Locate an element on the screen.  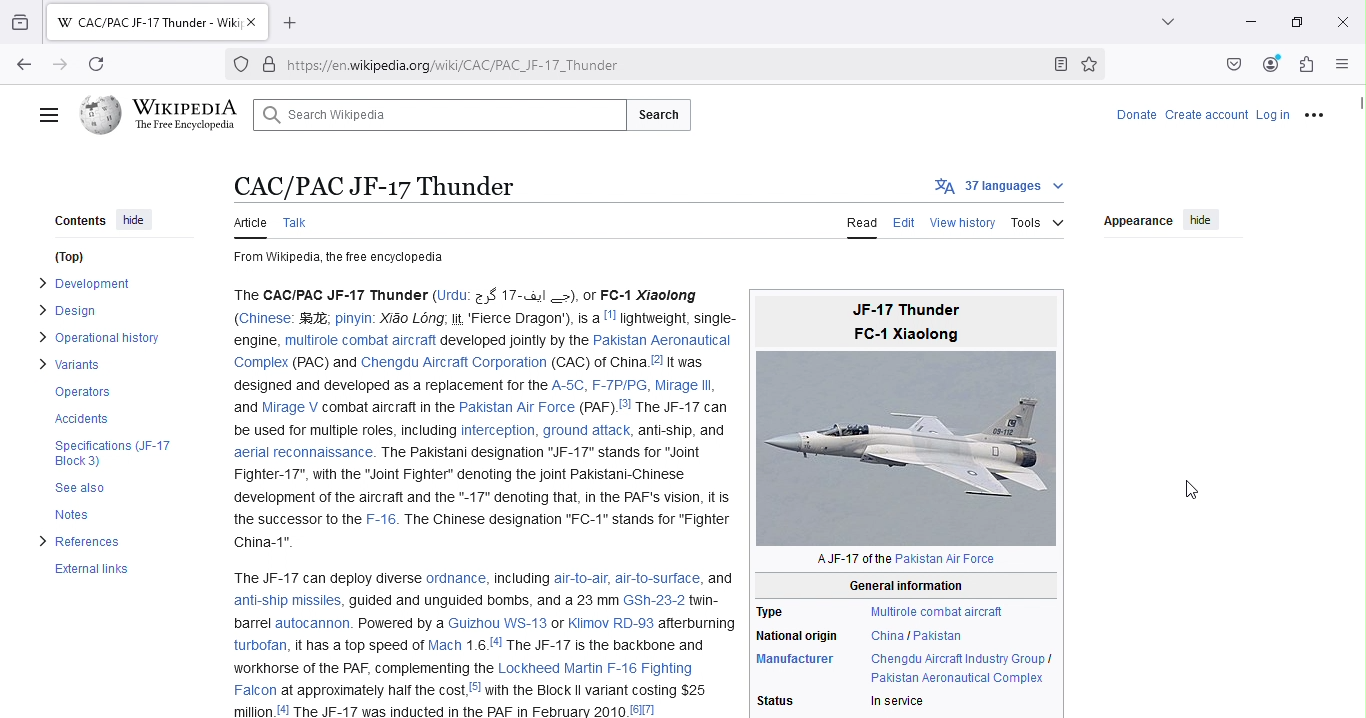
Maximize is located at coordinates (1297, 22).